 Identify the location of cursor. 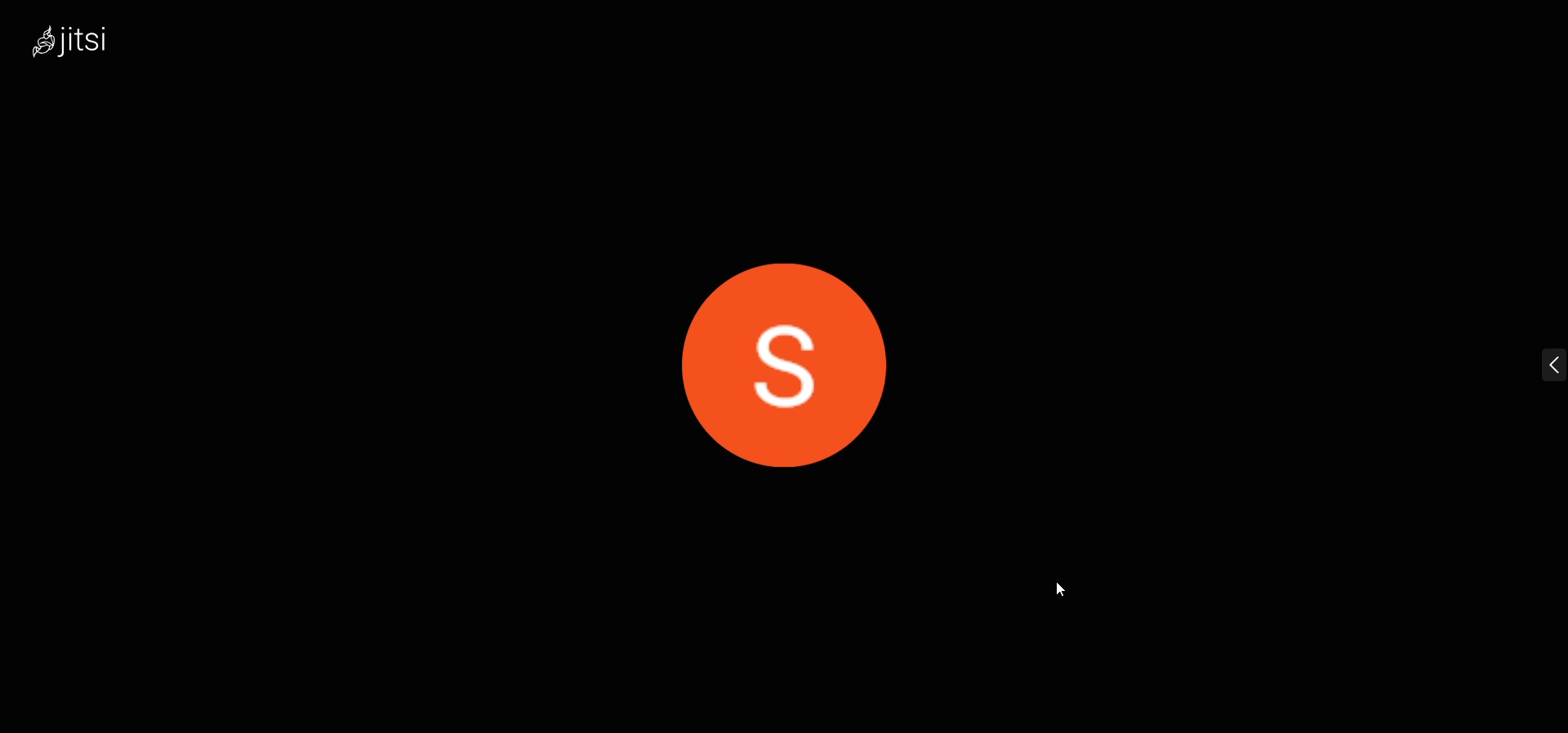
(1065, 586).